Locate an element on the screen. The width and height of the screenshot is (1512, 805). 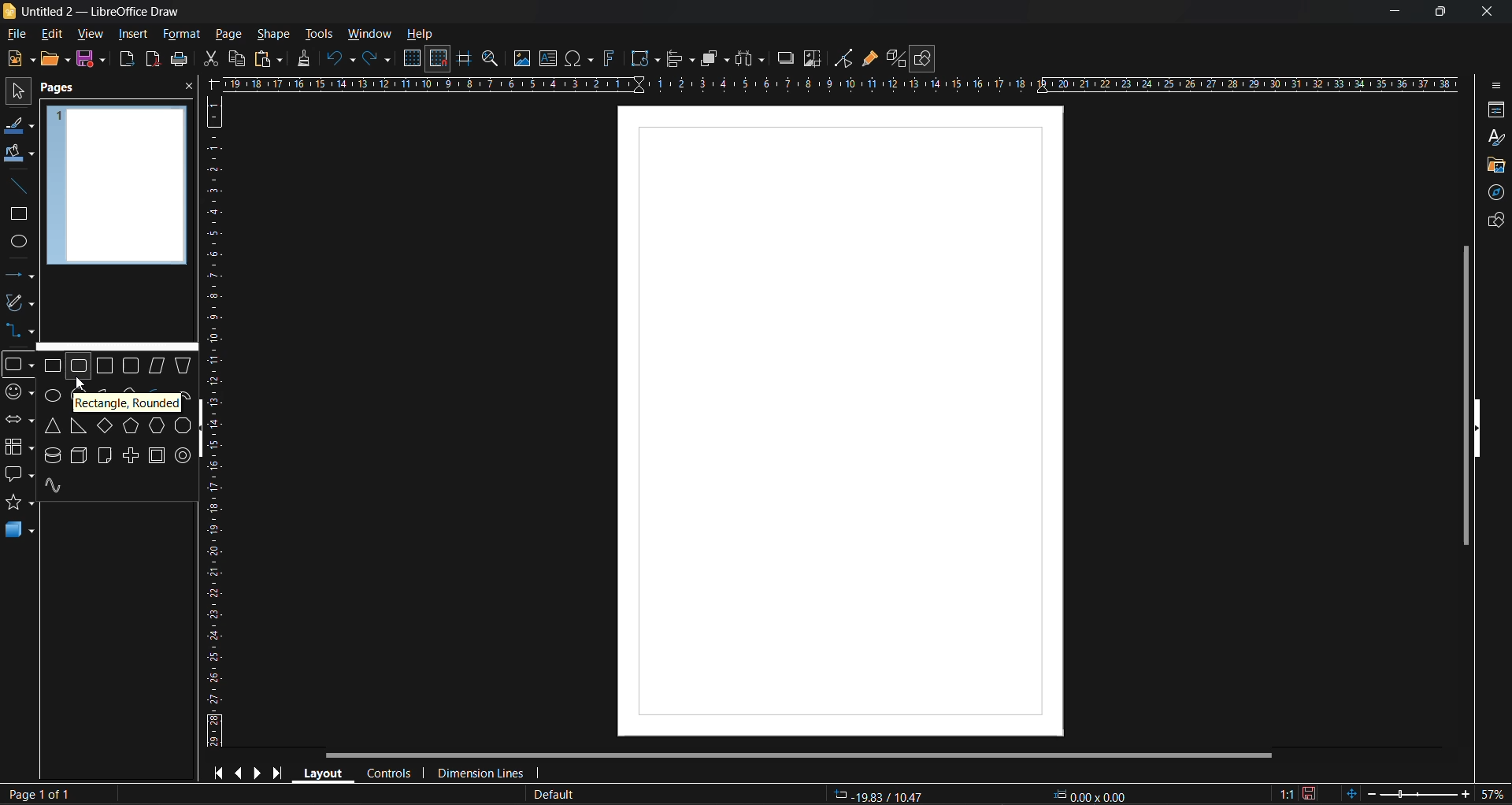
vertical scale is located at coordinates (213, 421).